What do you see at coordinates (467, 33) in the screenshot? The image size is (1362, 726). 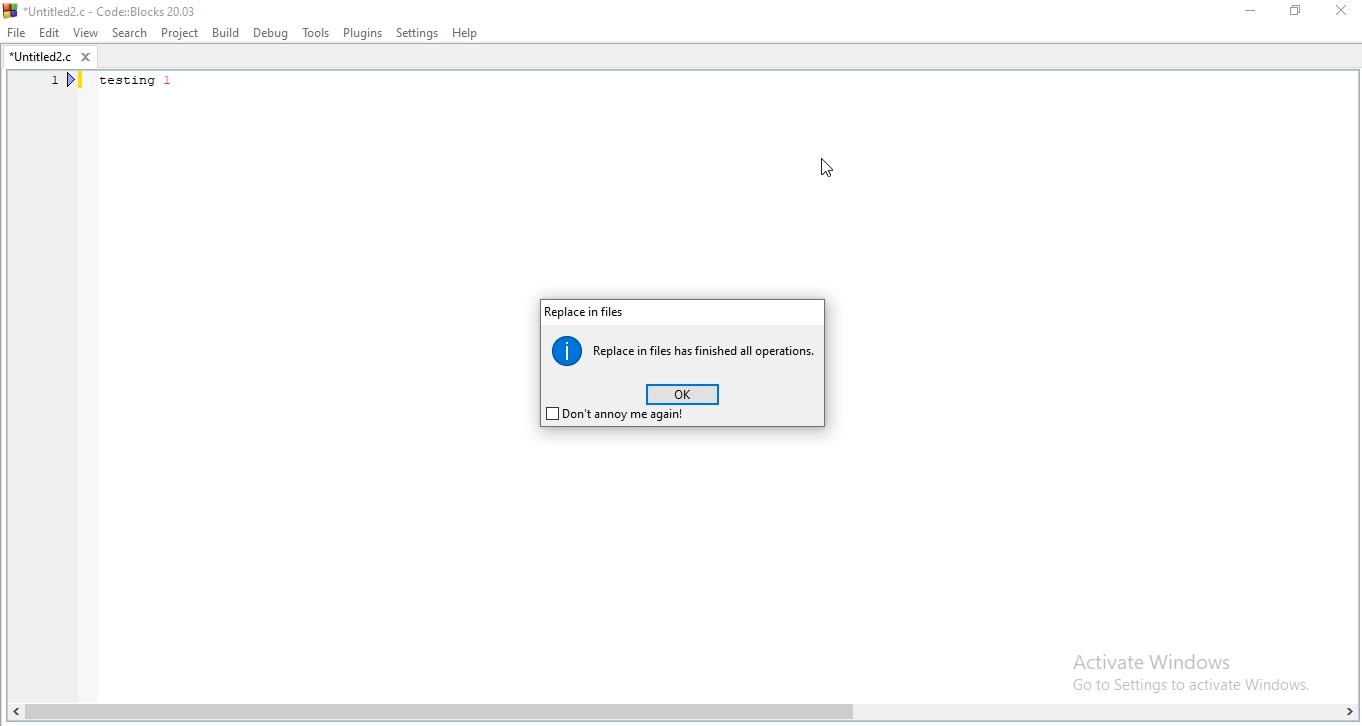 I see `Help` at bounding box center [467, 33].